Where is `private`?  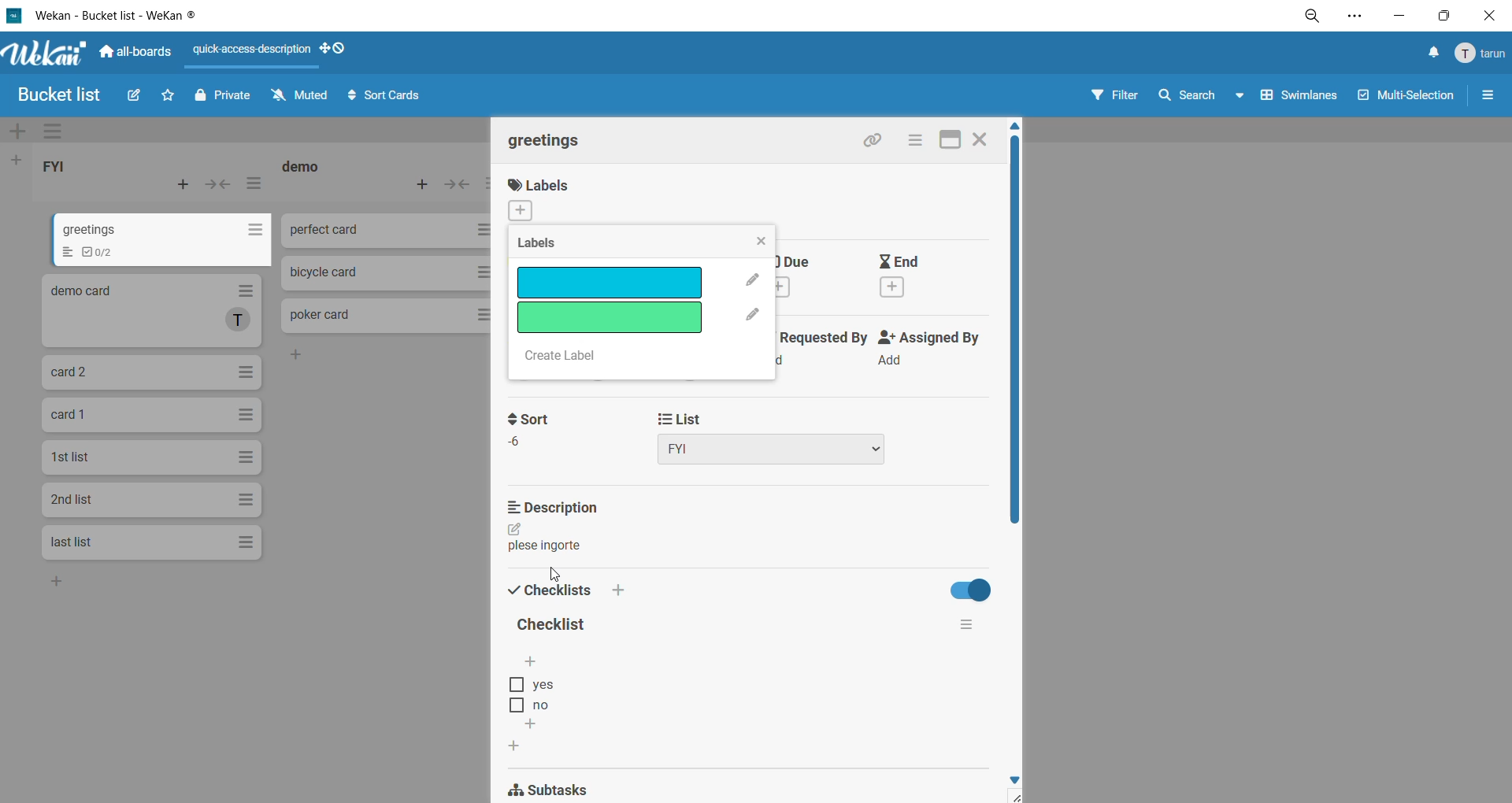
private is located at coordinates (232, 98).